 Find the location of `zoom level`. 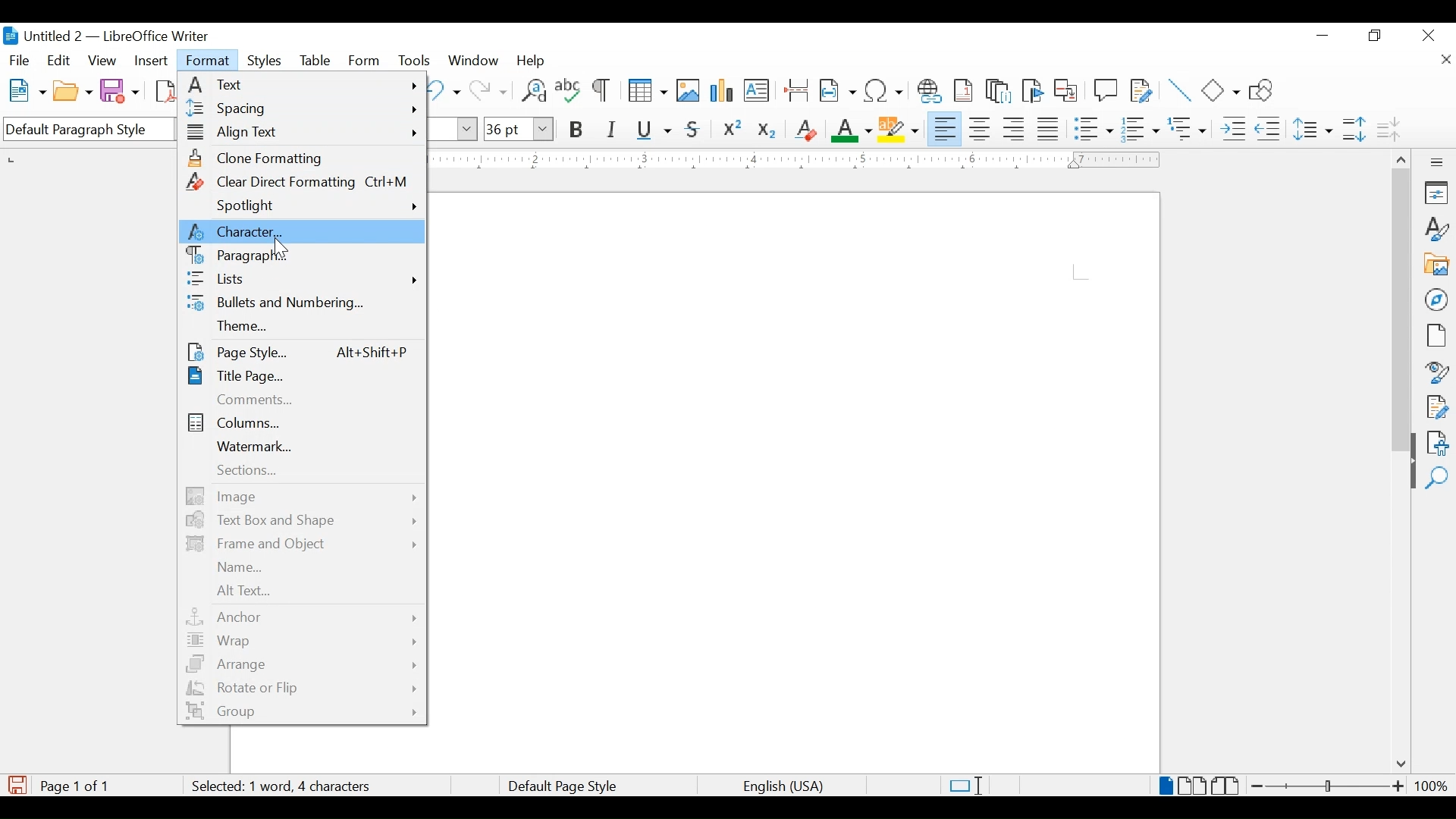

zoom level is located at coordinates (1431, 786).